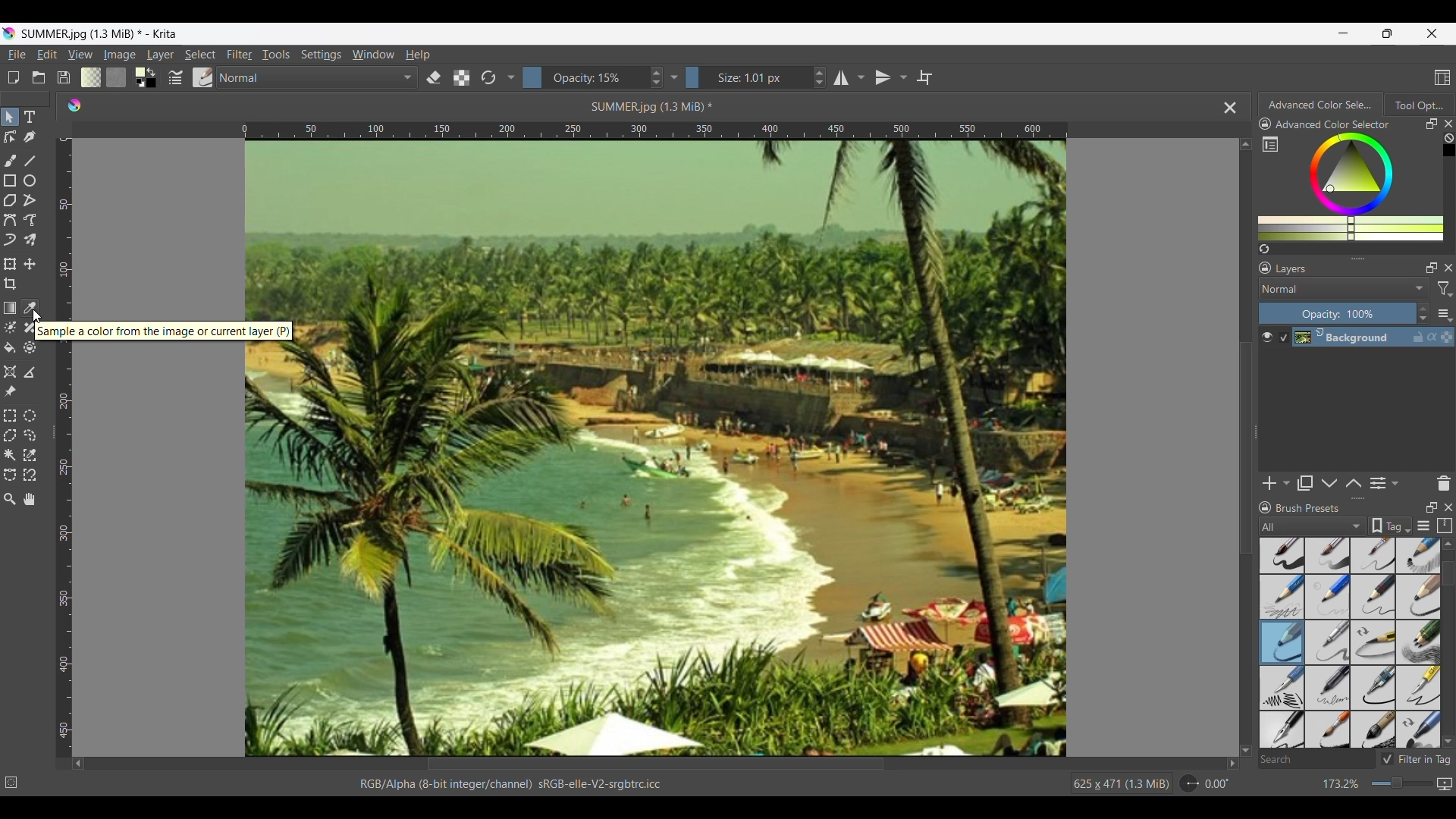 The height and width of the screenshot is (819, 1456). I want to click on Foreground color, so click(135, 71).